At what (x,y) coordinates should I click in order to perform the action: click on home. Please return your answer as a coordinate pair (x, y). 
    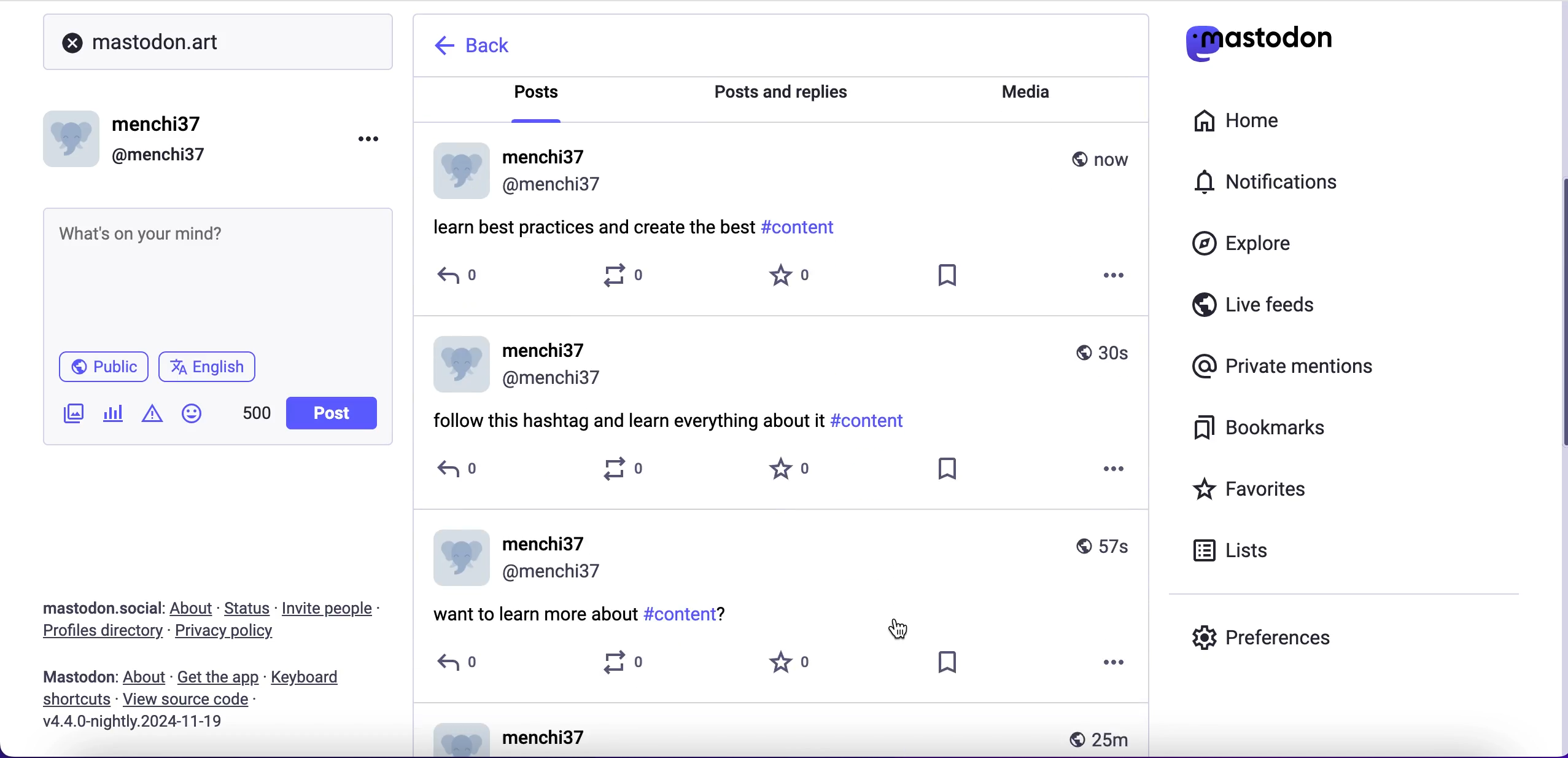
    Looking at the image, I should click on (1252, 122).